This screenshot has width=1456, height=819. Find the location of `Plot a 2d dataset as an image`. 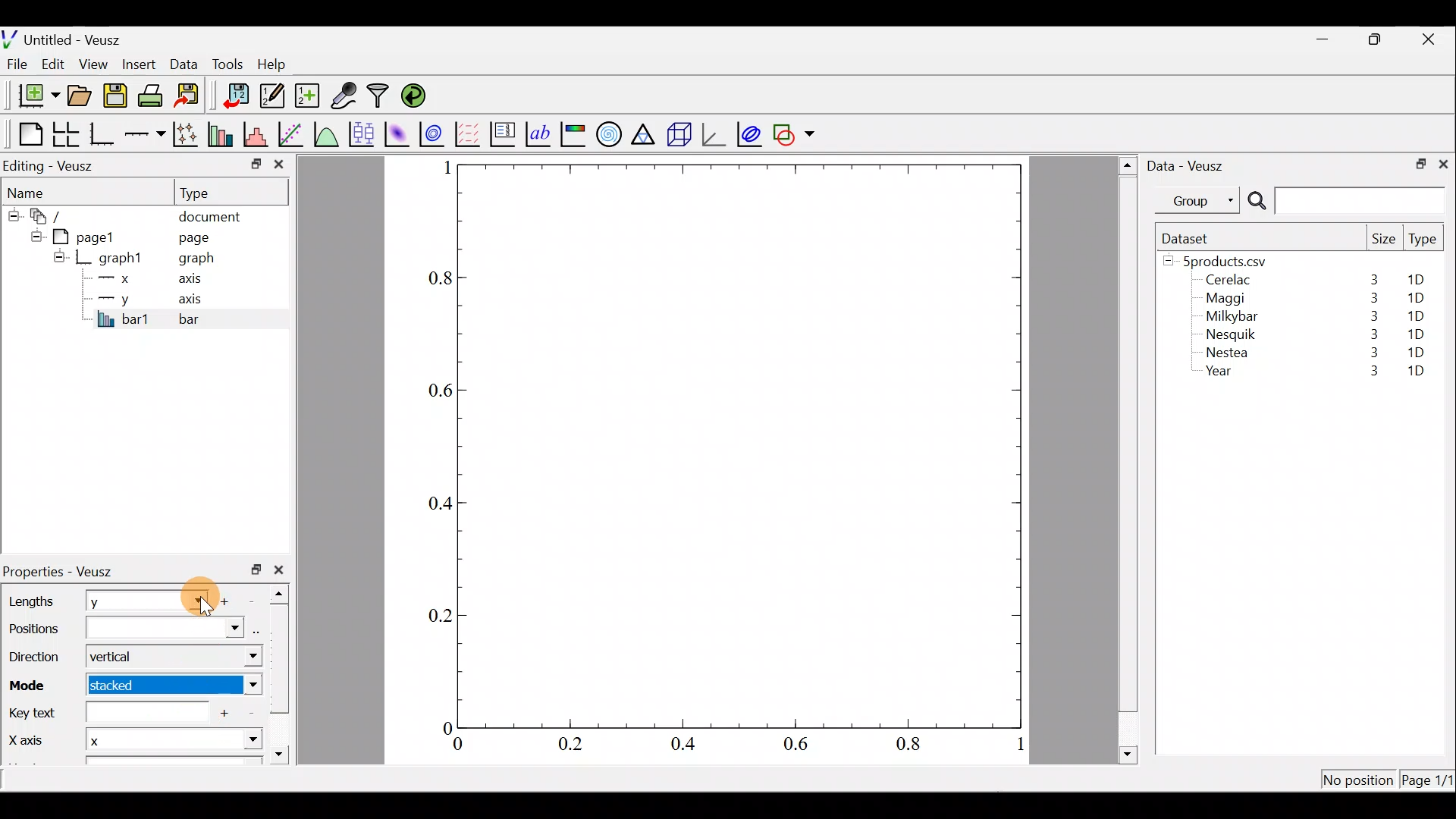

Plot a 2d dataset as an image is located at coordinates (399, 132).